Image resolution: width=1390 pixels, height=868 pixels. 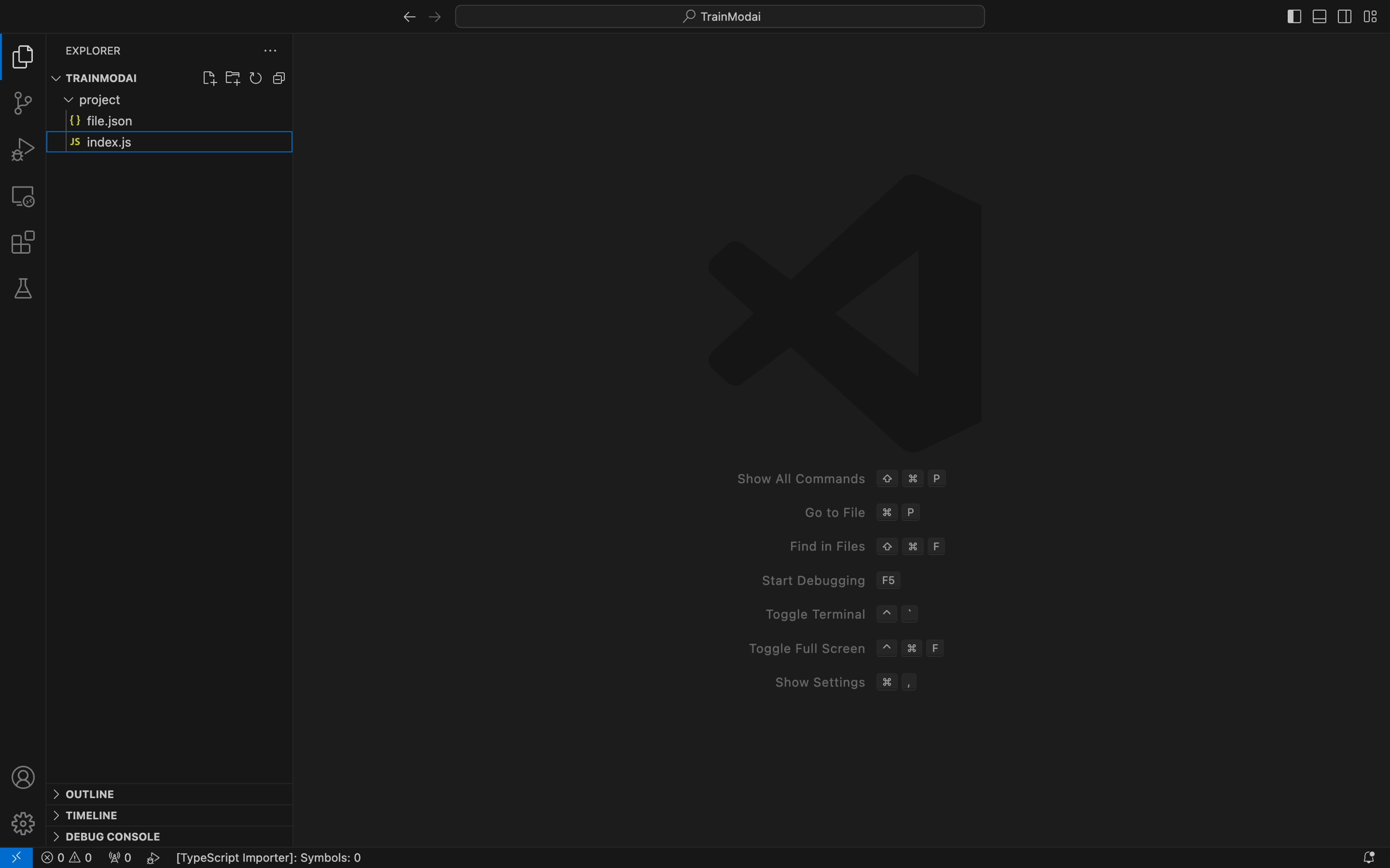 What do you see at coordinates (1374, 17) in the screenshot?
I see `layout` at bounding box center [1374, 17].